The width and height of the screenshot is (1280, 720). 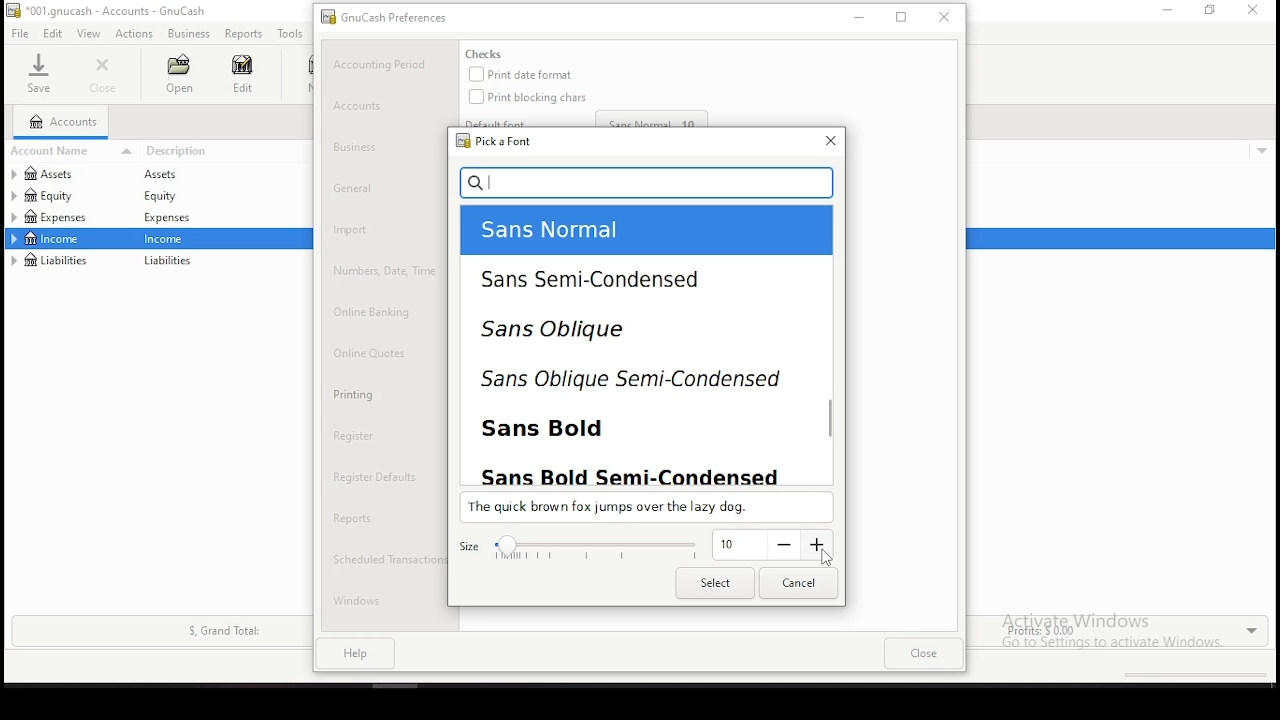 I want to click on business, so click(x=189, y=33).